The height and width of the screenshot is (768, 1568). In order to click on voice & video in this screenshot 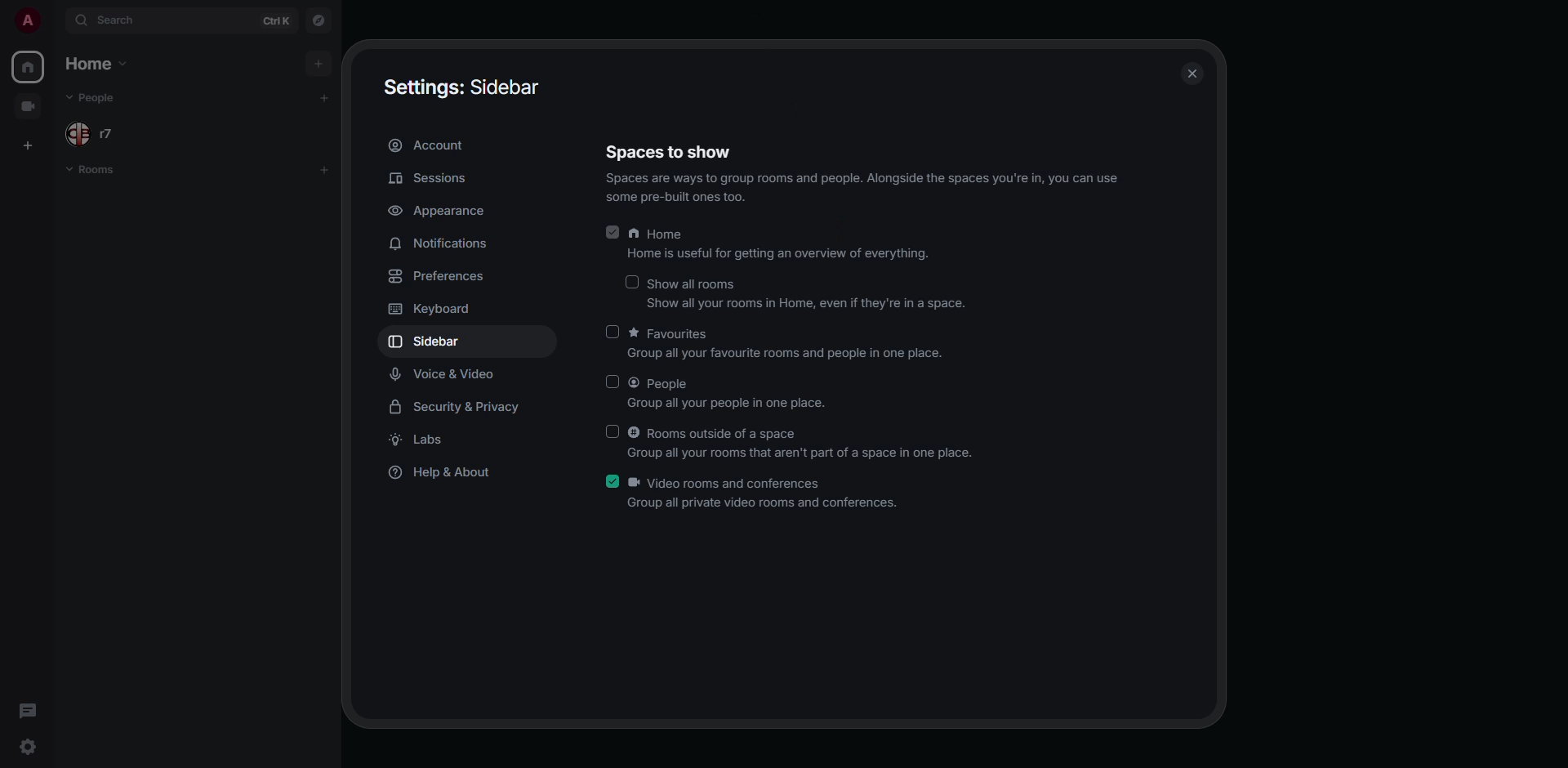, I will do `click(447, 376)`.